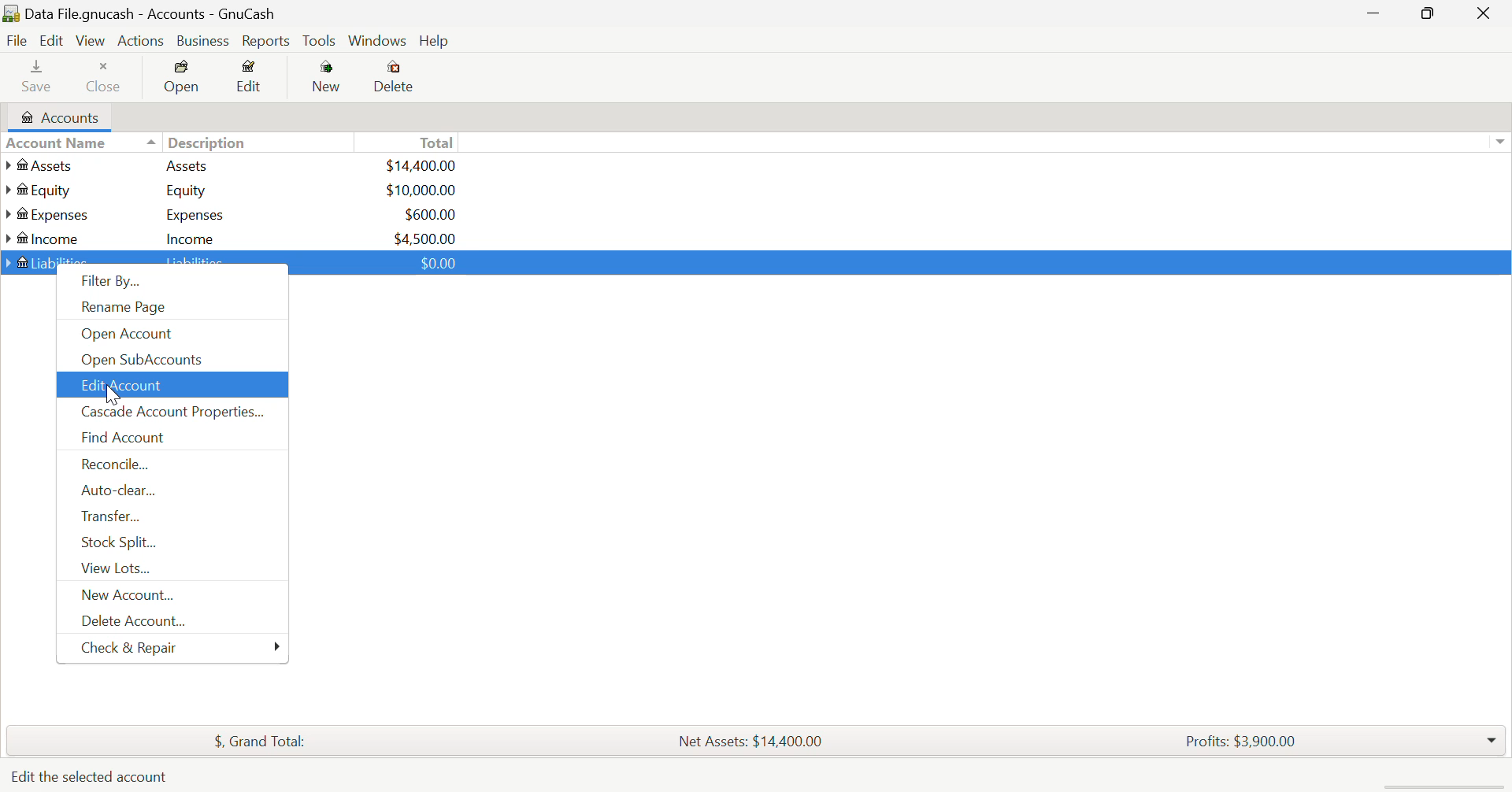  What do you see at coordinates (436, 42) in the screenshot?
I see `Help` at bounding box center [436, 42].